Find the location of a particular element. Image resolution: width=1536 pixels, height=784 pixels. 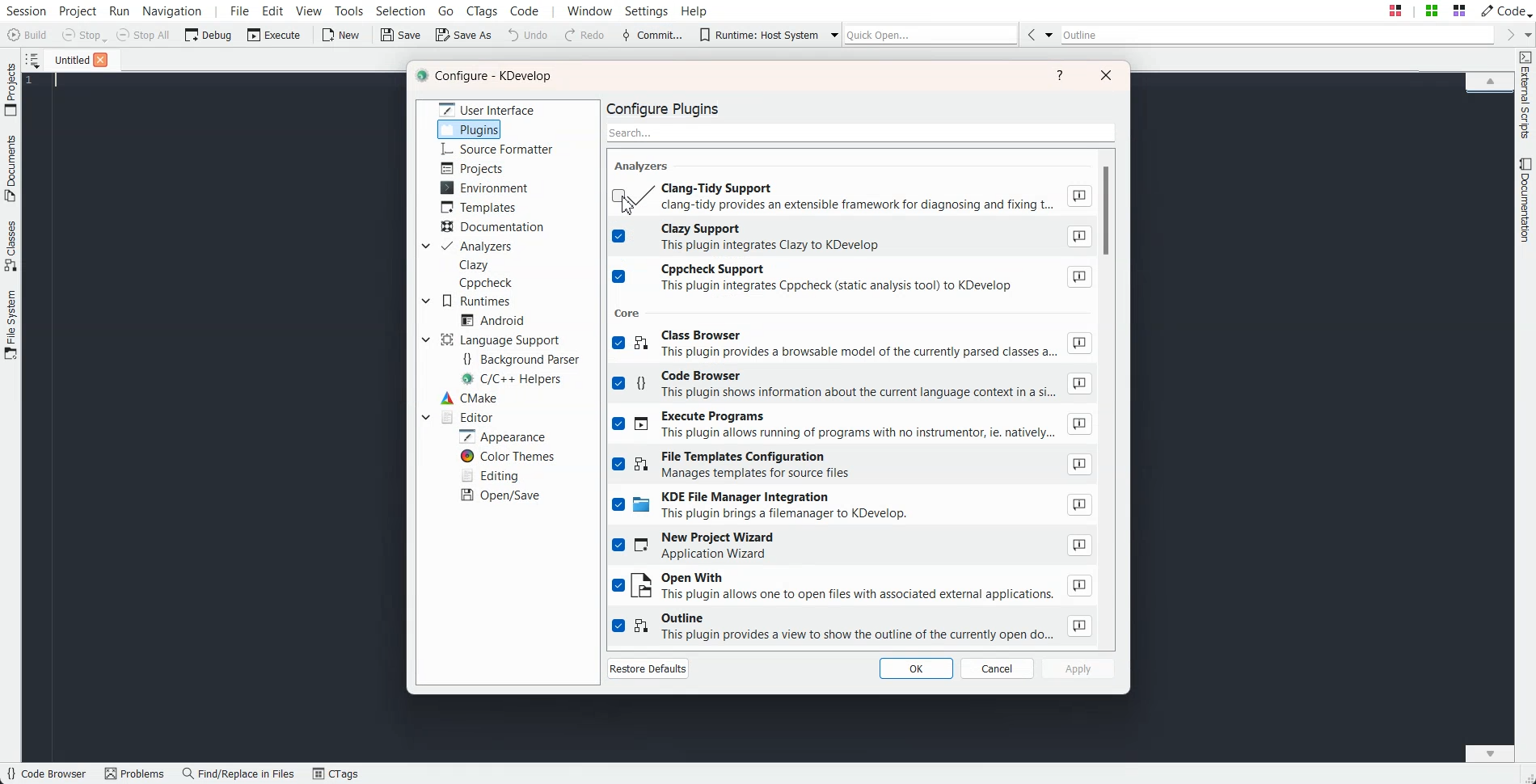

Android is located at coordinates (492, 320).